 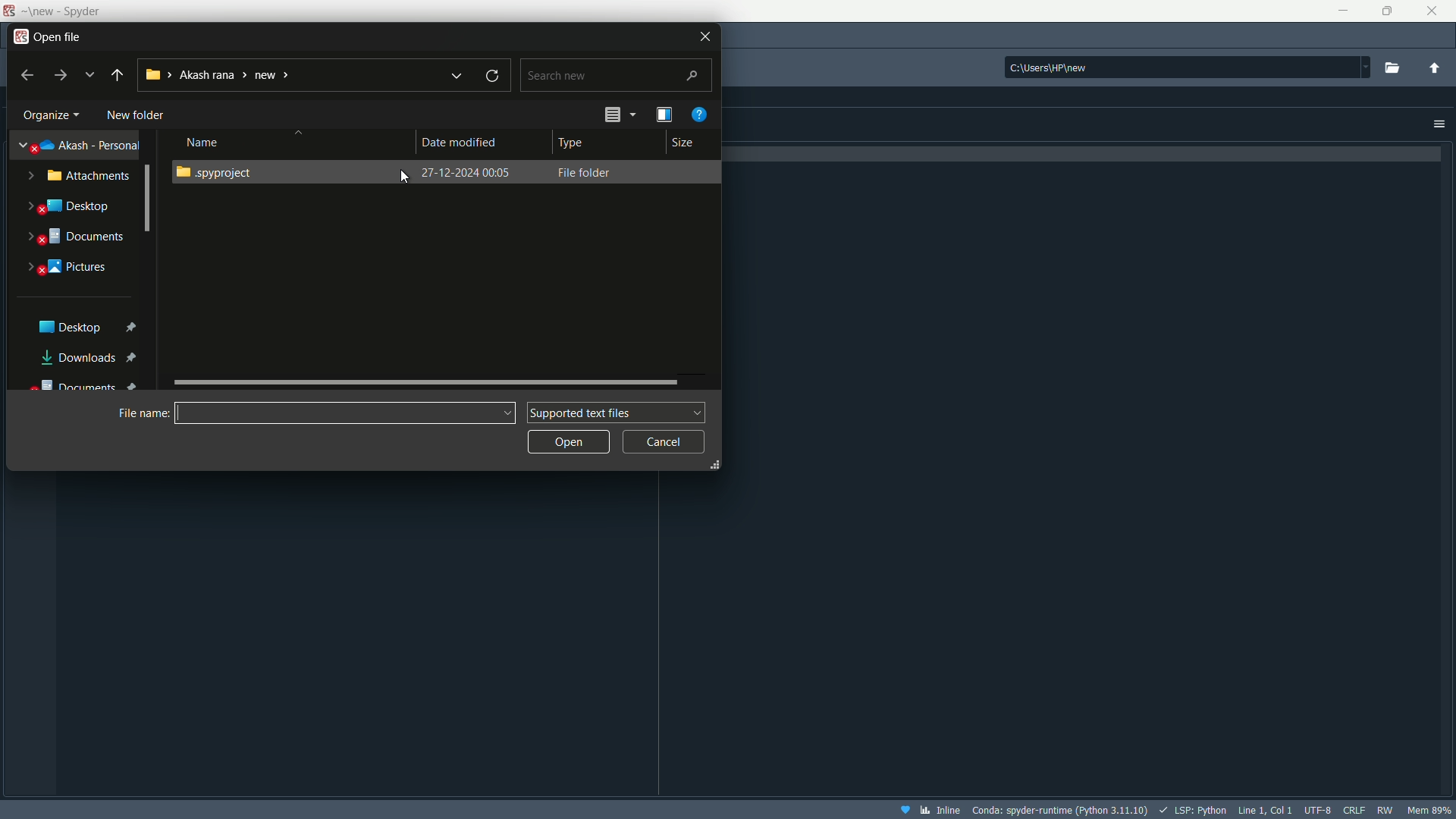 I want to click on change to parent directory, so click(x=1437, y=67).